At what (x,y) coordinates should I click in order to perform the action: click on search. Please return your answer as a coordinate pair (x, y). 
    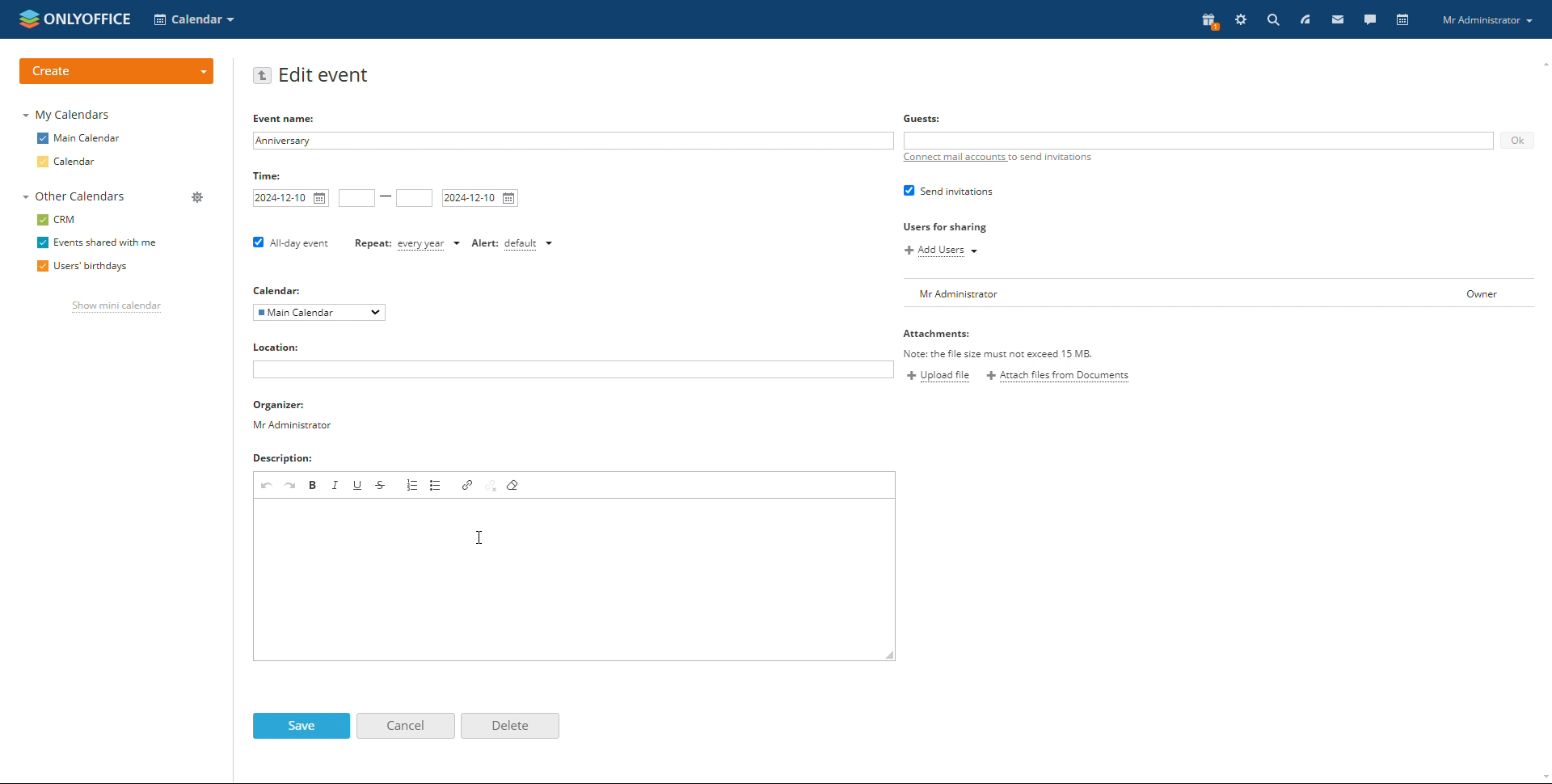
    Looking at the image, I should click on (1272, 19).